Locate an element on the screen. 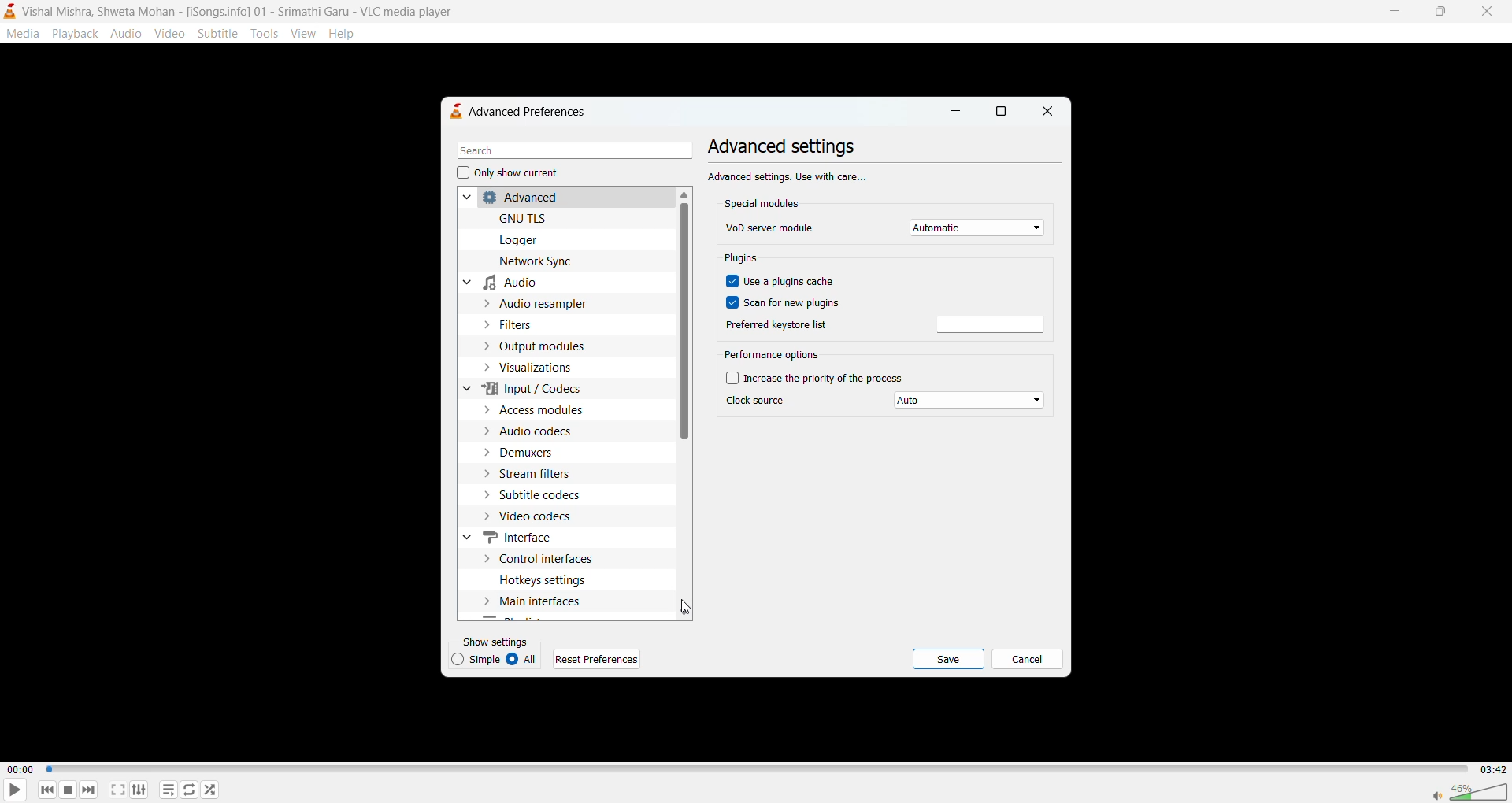 This screenshot has height=803, width=1512. scan for new  plugins is located at coordinates (784, 302).